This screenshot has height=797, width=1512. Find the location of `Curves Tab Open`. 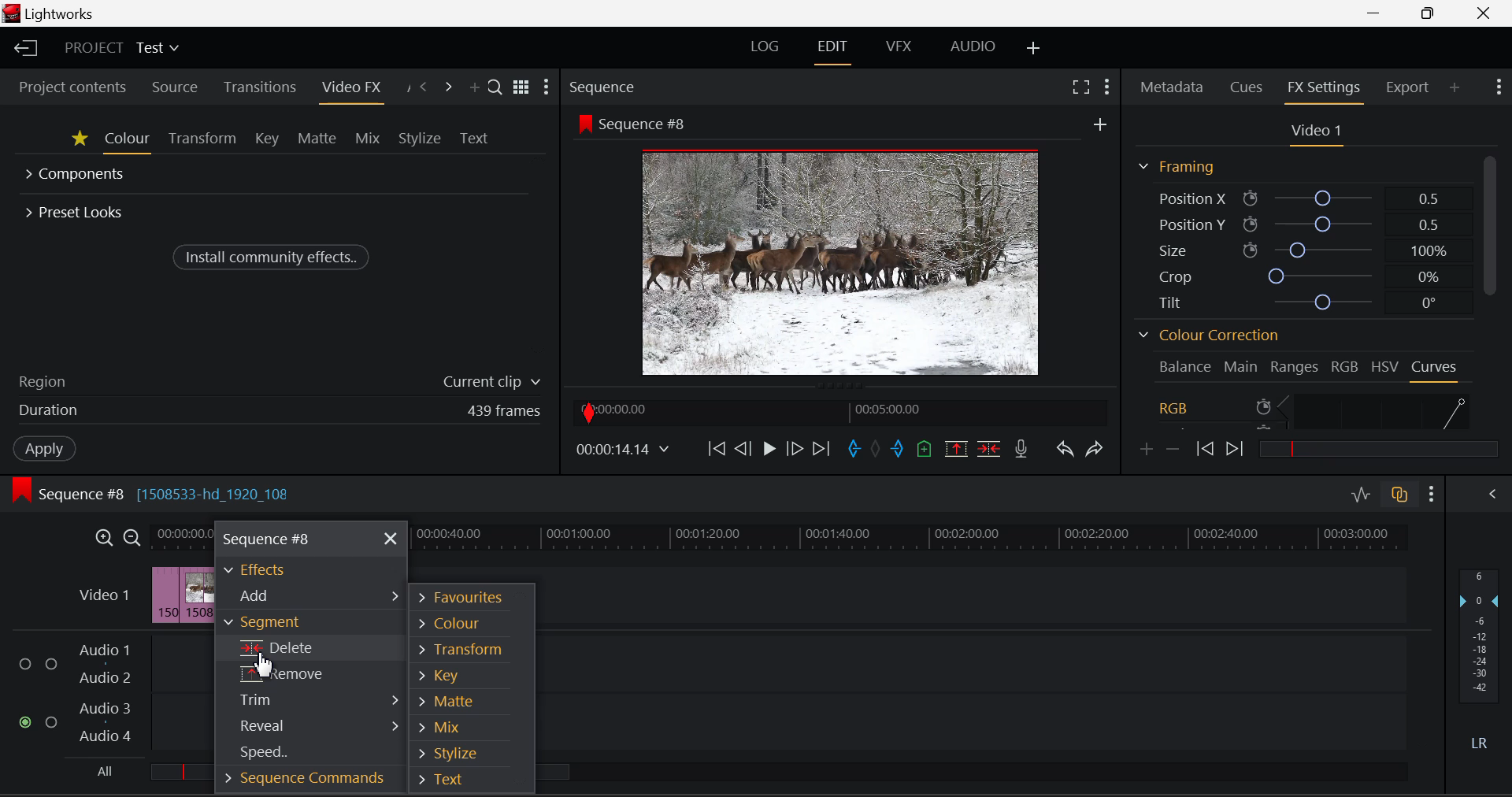

Curves Tab Open is located at coordinates (1433, 369).